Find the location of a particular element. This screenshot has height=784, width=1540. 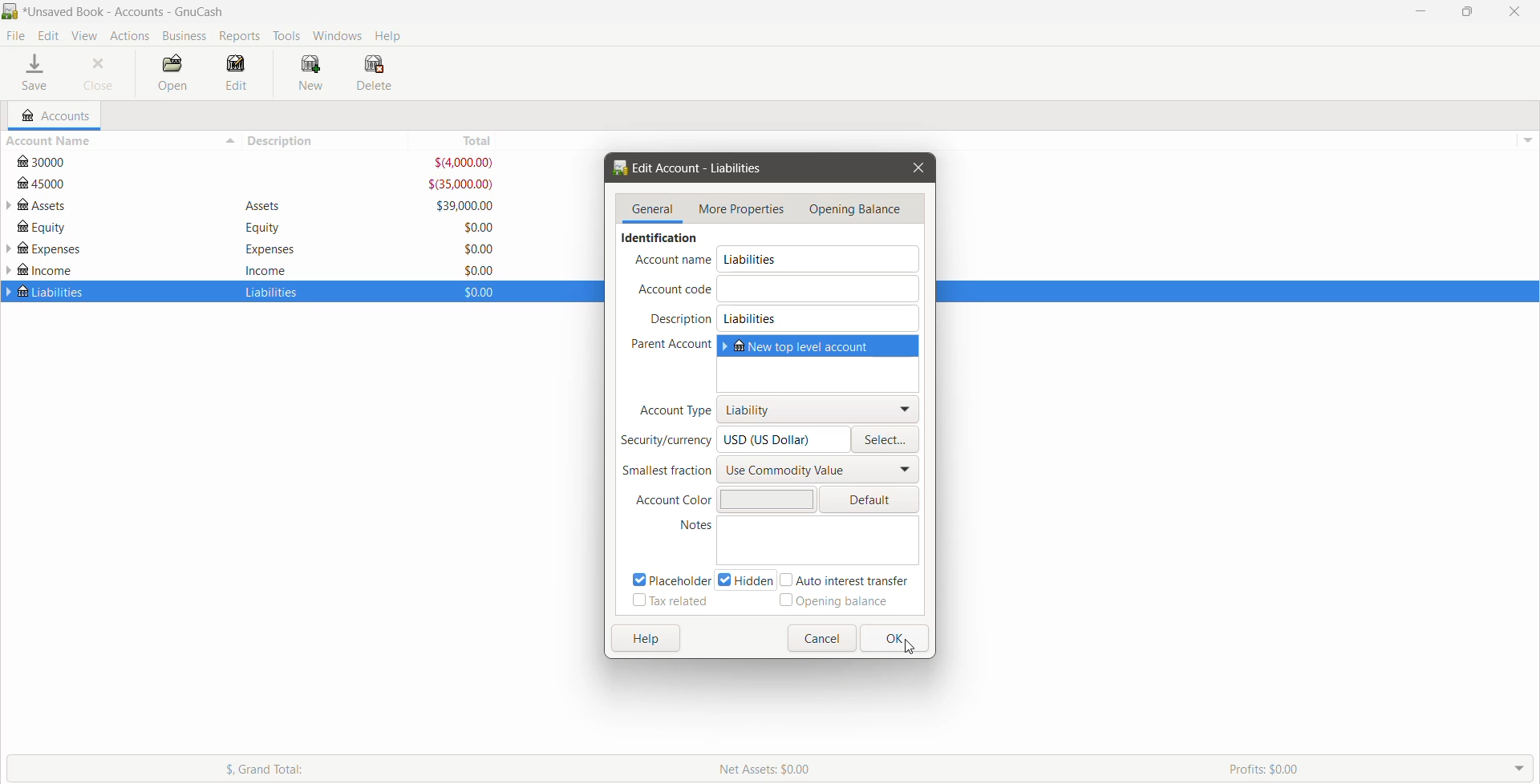

Opening Balance is located at coordinates (860, 209).